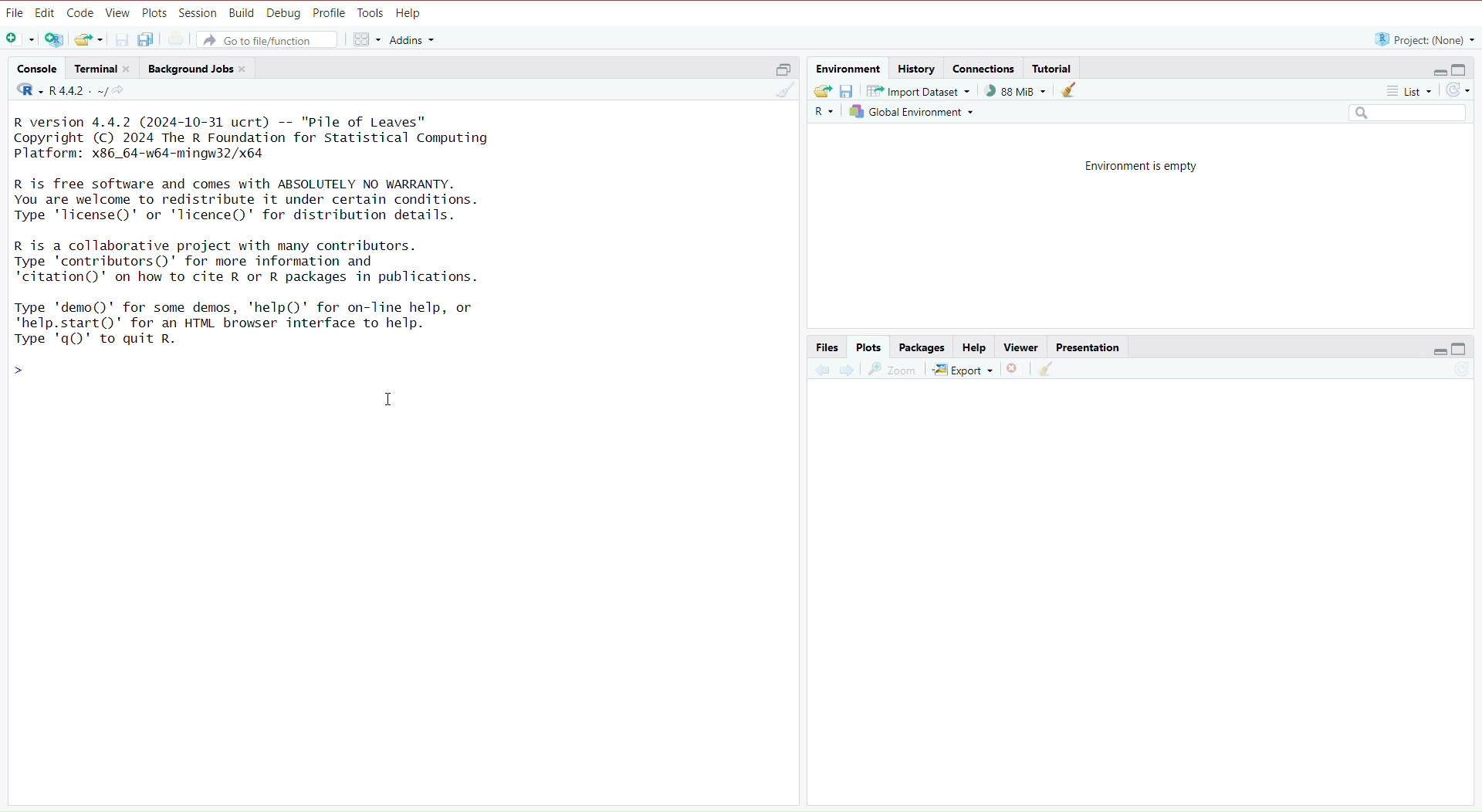 Image resolution: width=1482 pixels, height=812 pixels. I want to click on zoom, so click(893, 371).